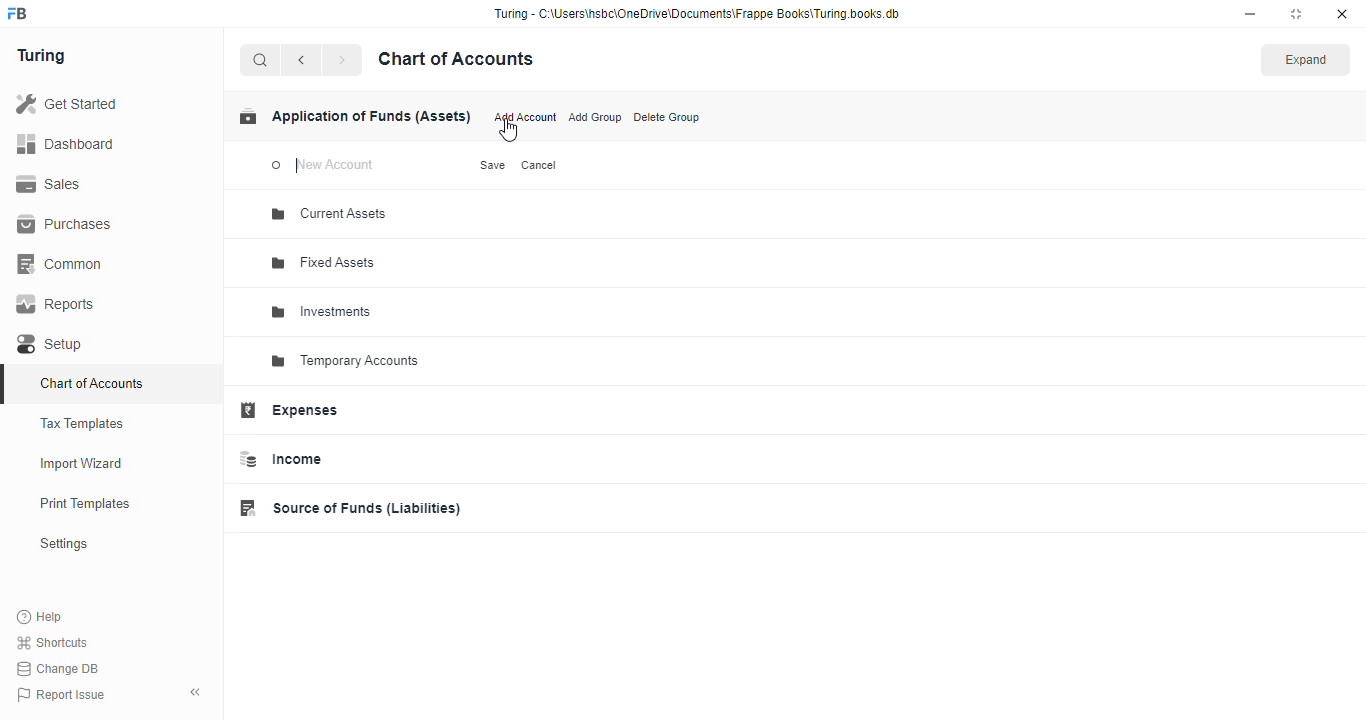 This screenshot has height=720, width=1366. I want to click on purchases, so click(67, 225).